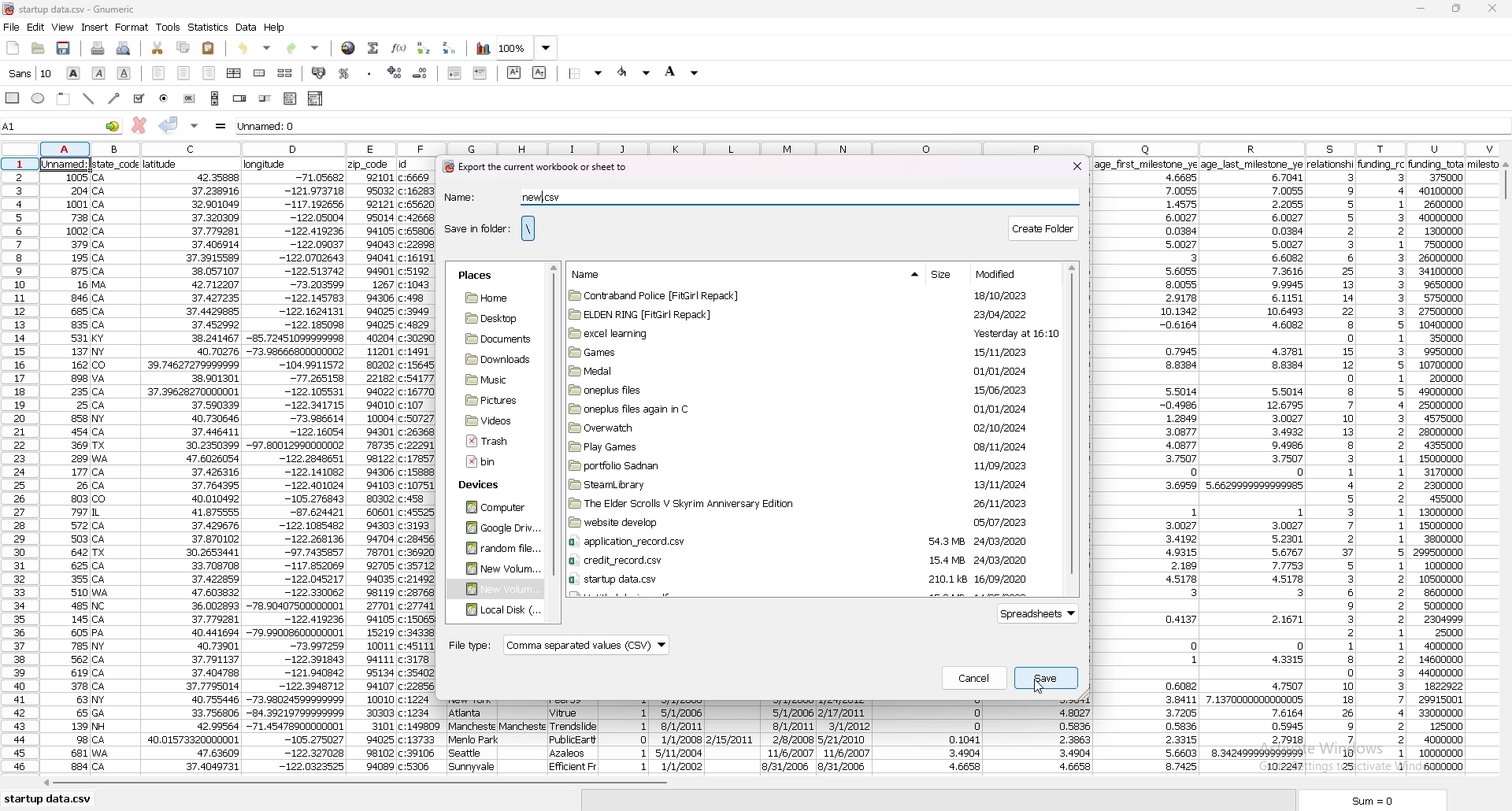 The width and height of the screenshot is (1512, 811). I want to click on data, so click(67, 471).